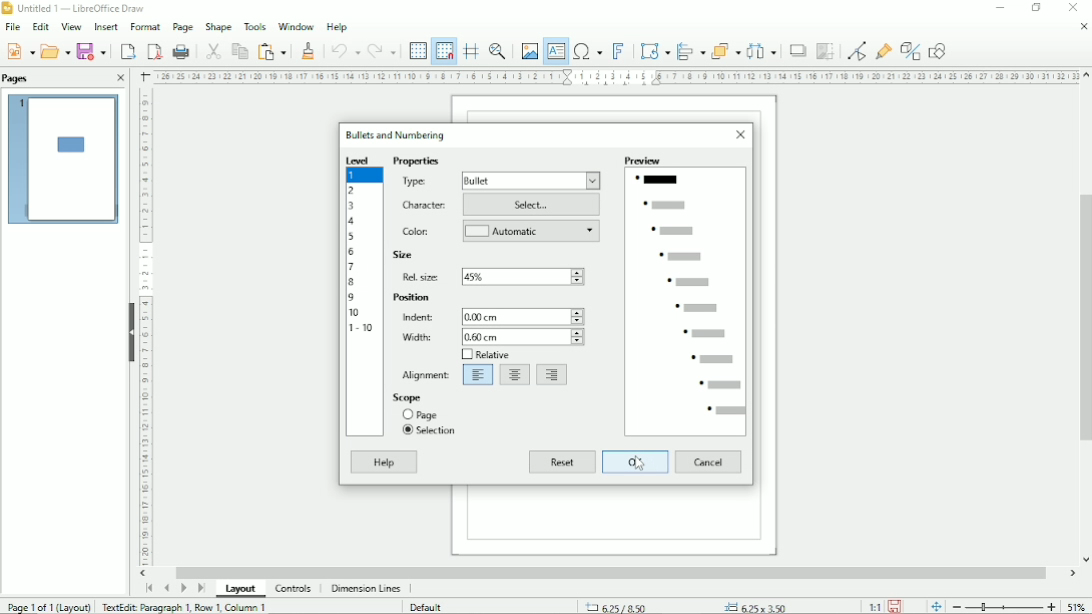  I want to click on Scroll to last page, so click(201, 588).